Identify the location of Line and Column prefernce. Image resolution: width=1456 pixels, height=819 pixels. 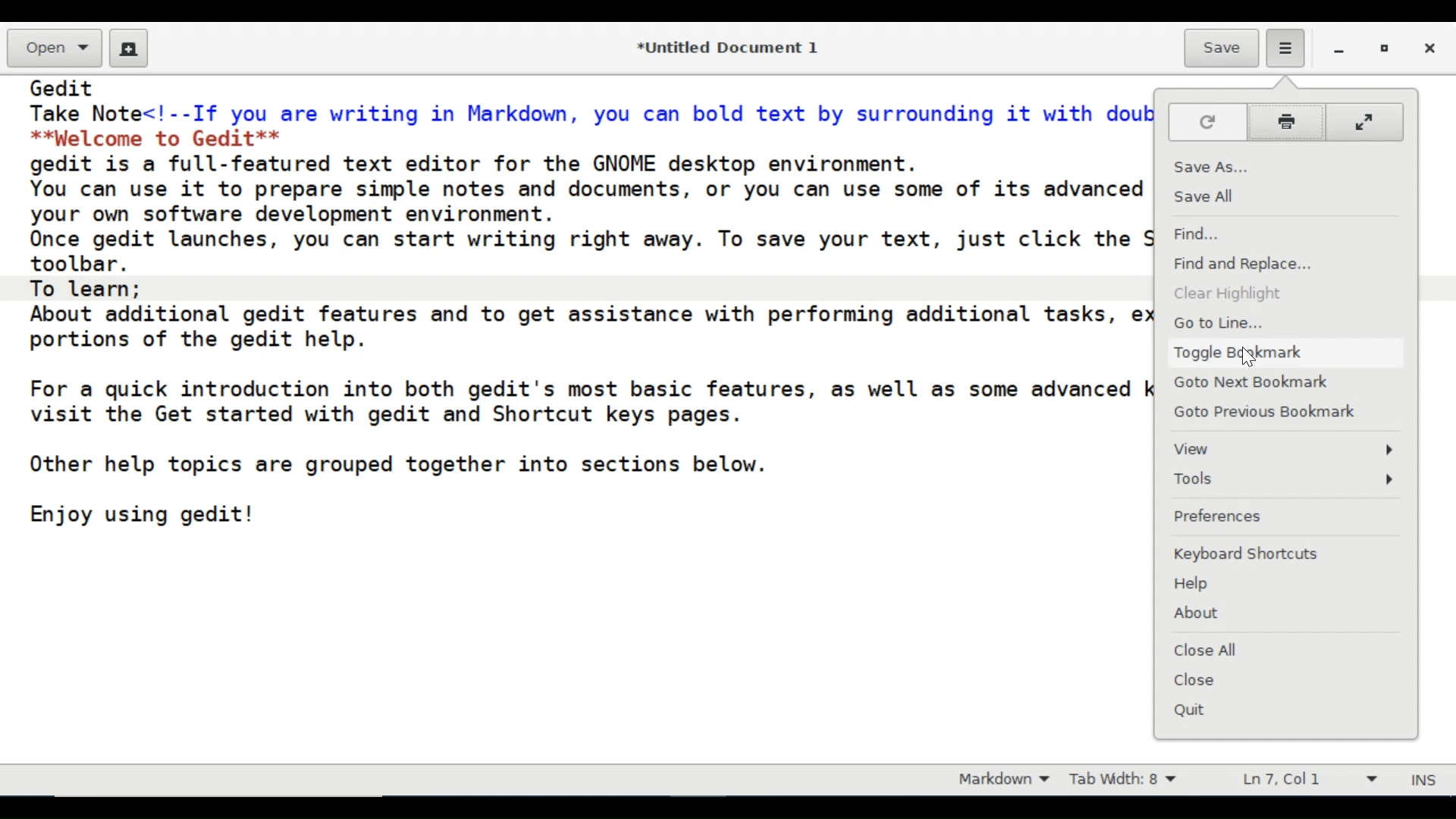
(1308, 781).